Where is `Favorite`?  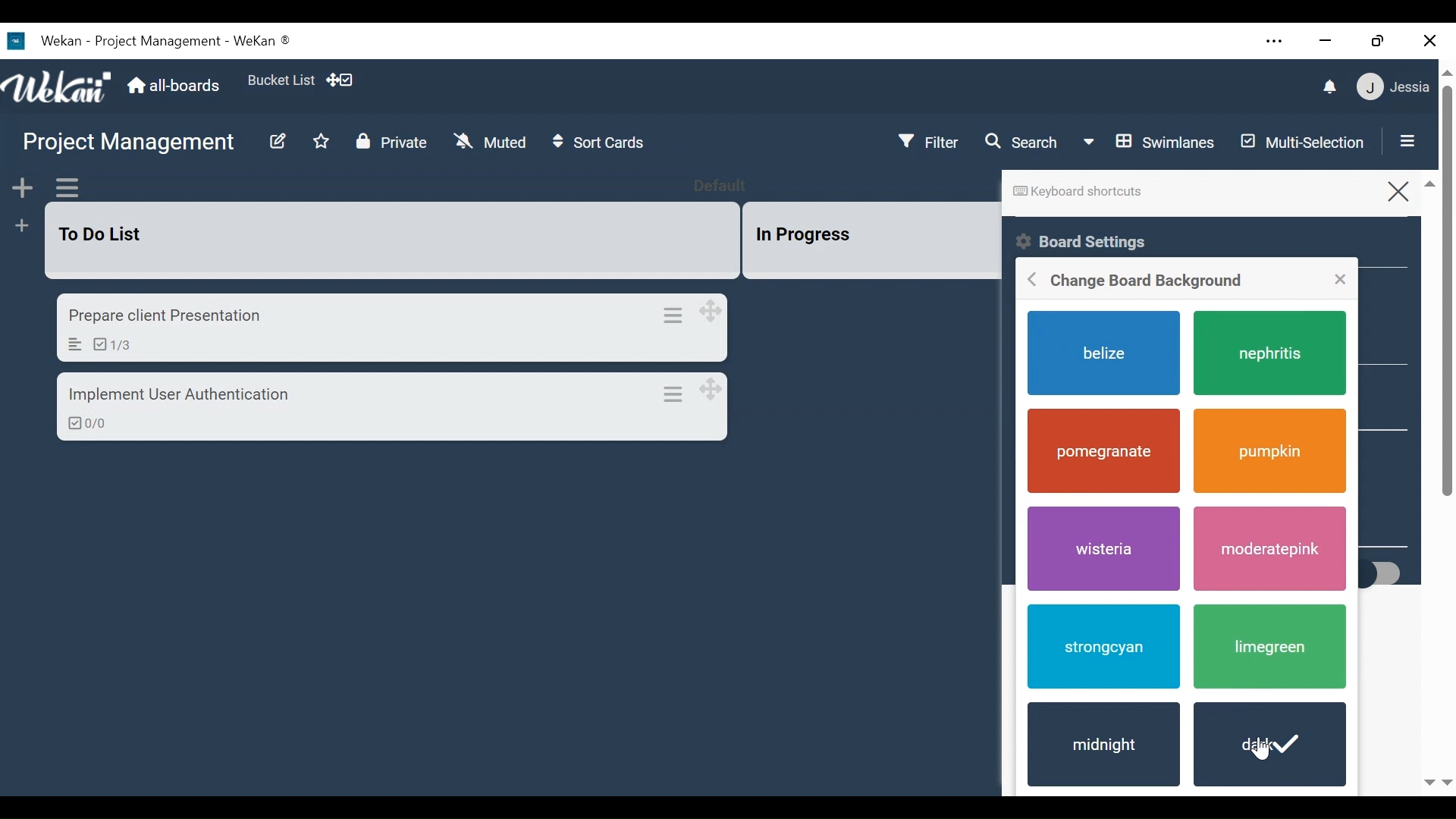
Favorite is located at coordinates (281, 81).